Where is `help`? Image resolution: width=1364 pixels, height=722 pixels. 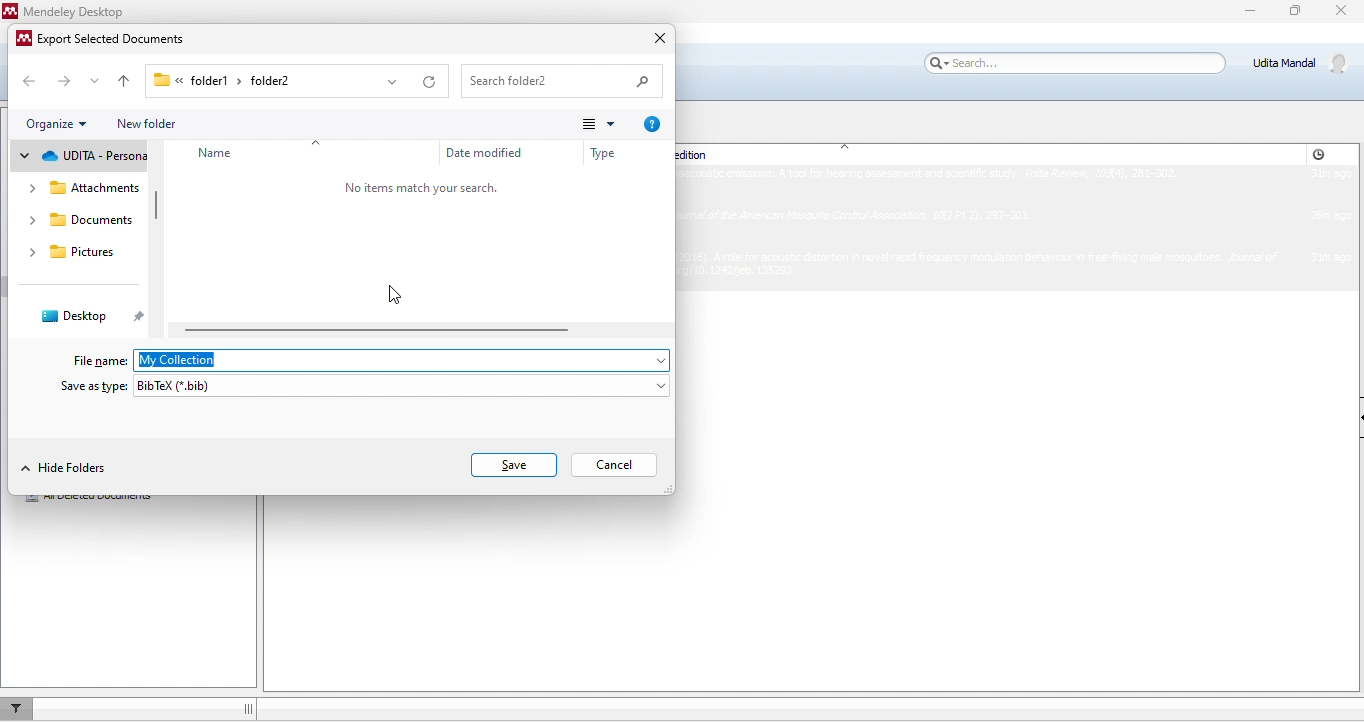
help is located at coordinates (656, 125).